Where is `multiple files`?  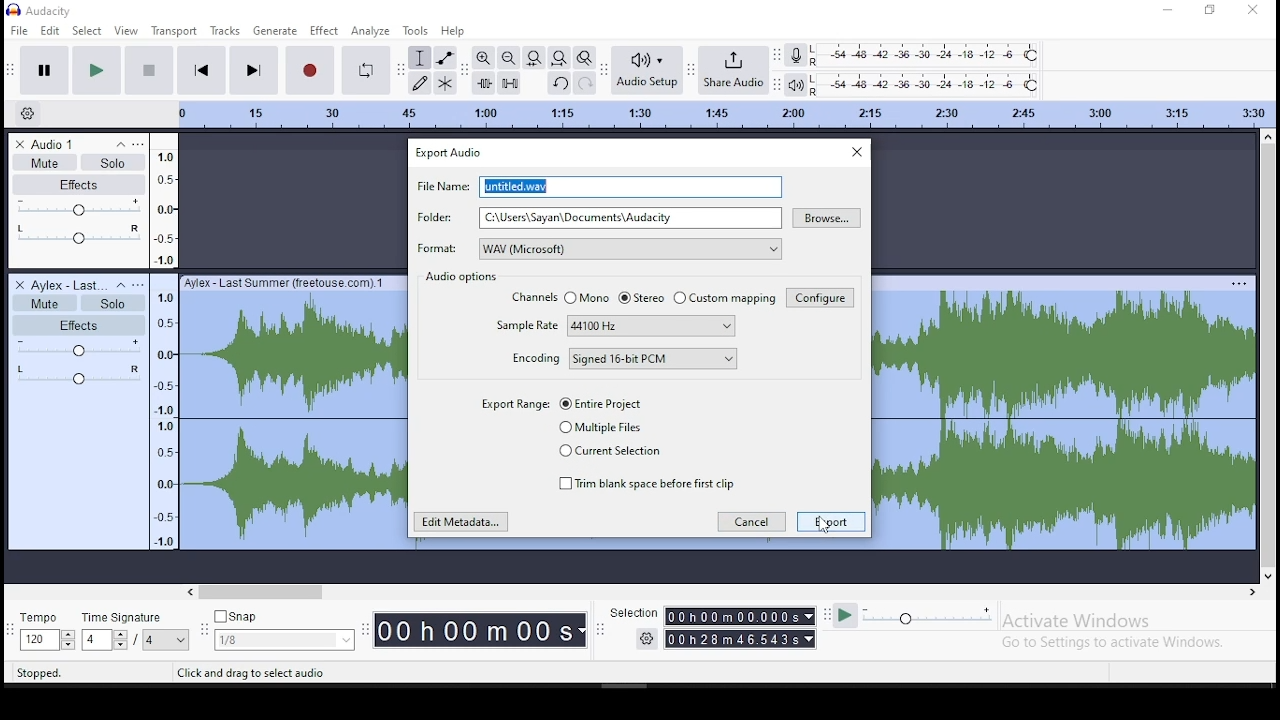 multiple files is located at coordinates (601, 427).